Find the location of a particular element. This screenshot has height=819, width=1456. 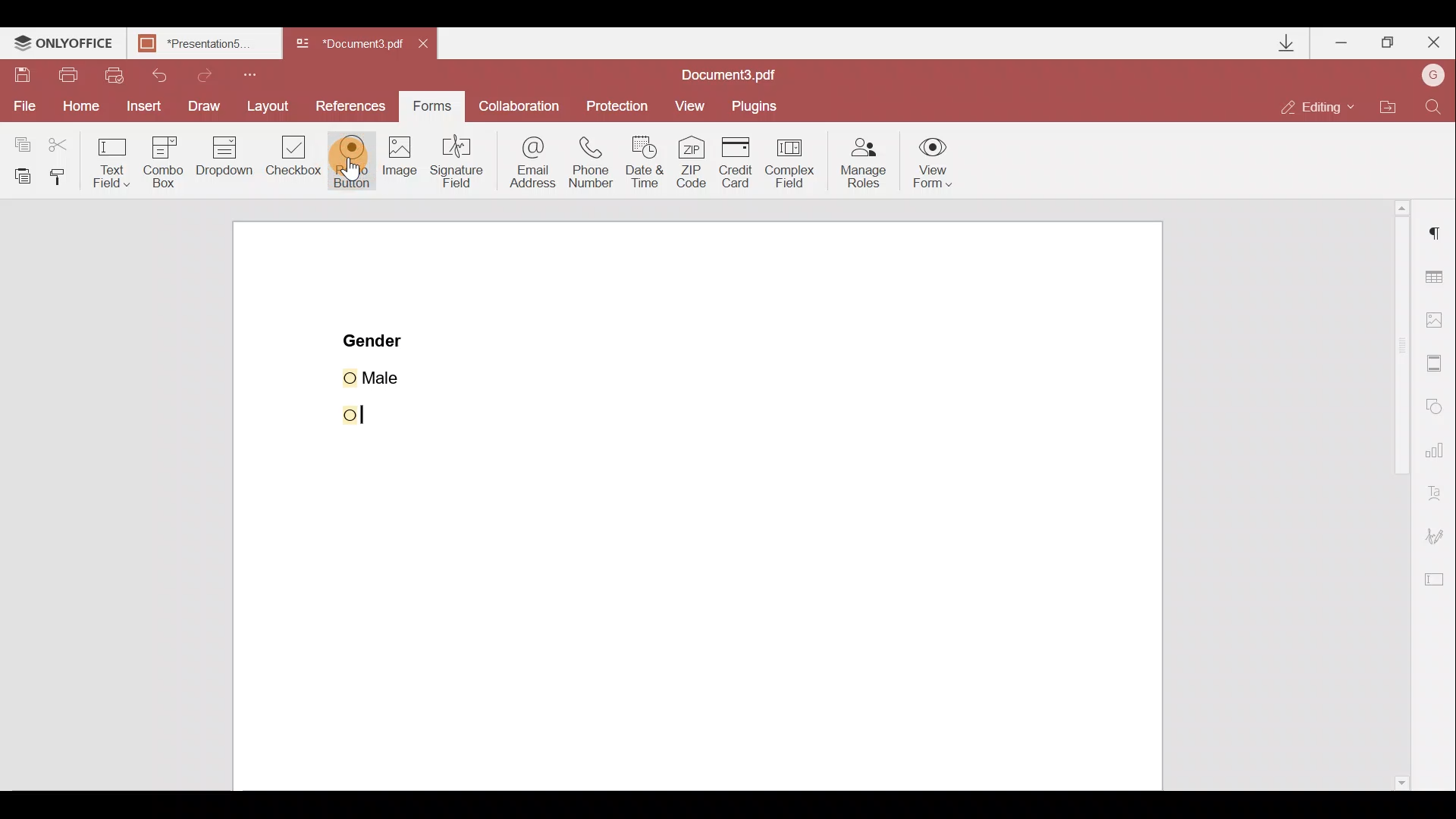

Scroll bar is located at coordinates (1389, 496).